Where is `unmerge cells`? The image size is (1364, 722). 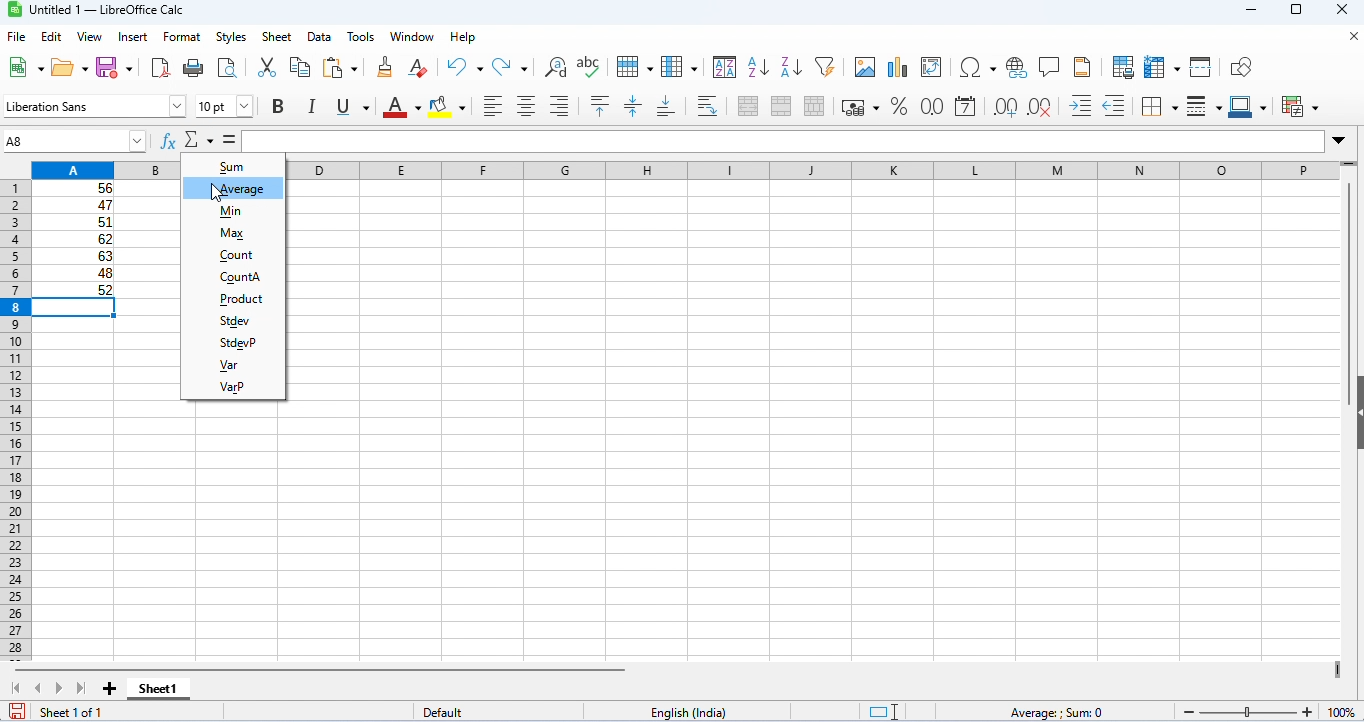 unmerge cells is located at coordinates (814, 106).